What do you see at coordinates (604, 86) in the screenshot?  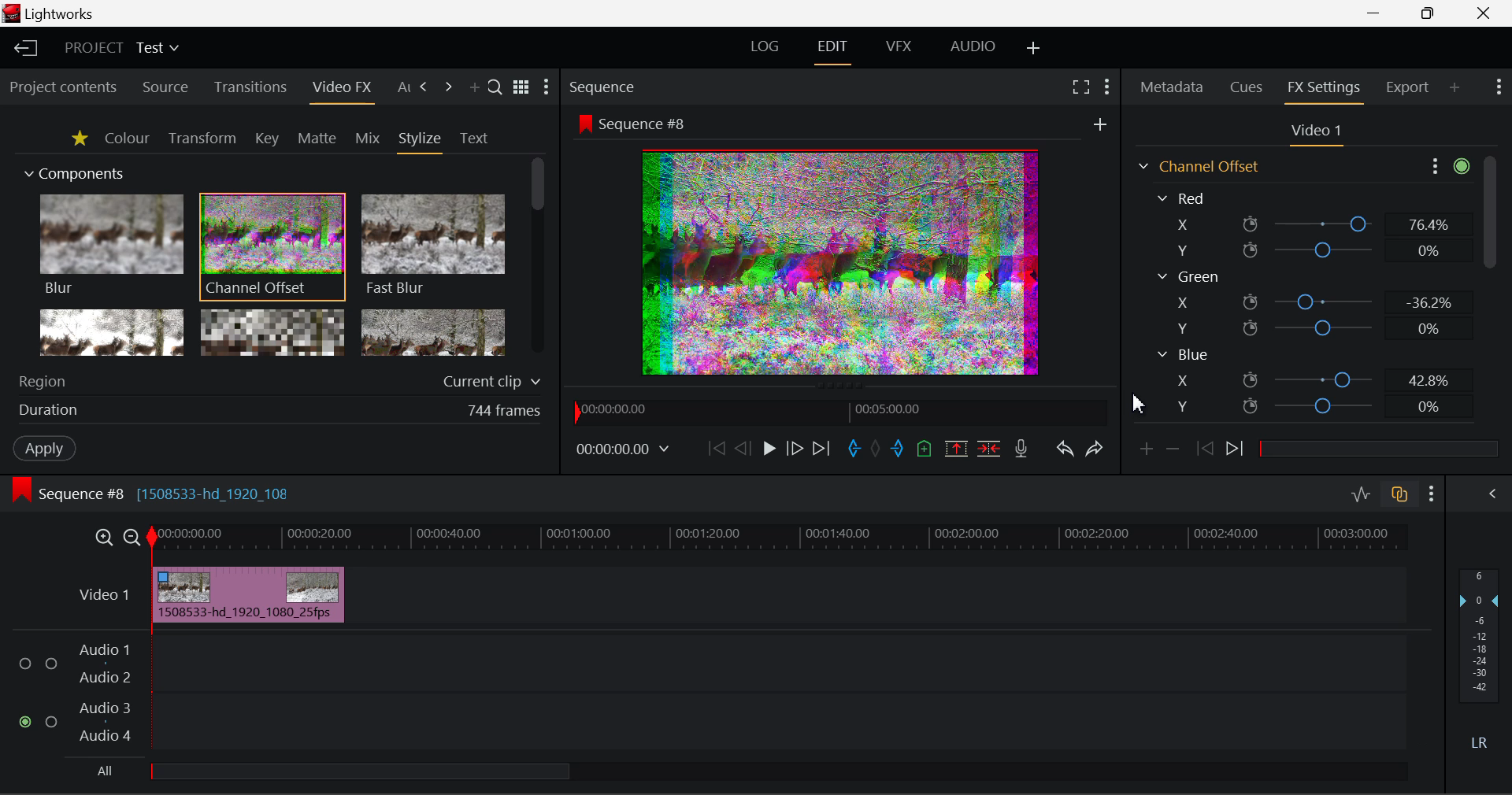 I see `Sequence Preview Section` at bounding box center [604, 86].